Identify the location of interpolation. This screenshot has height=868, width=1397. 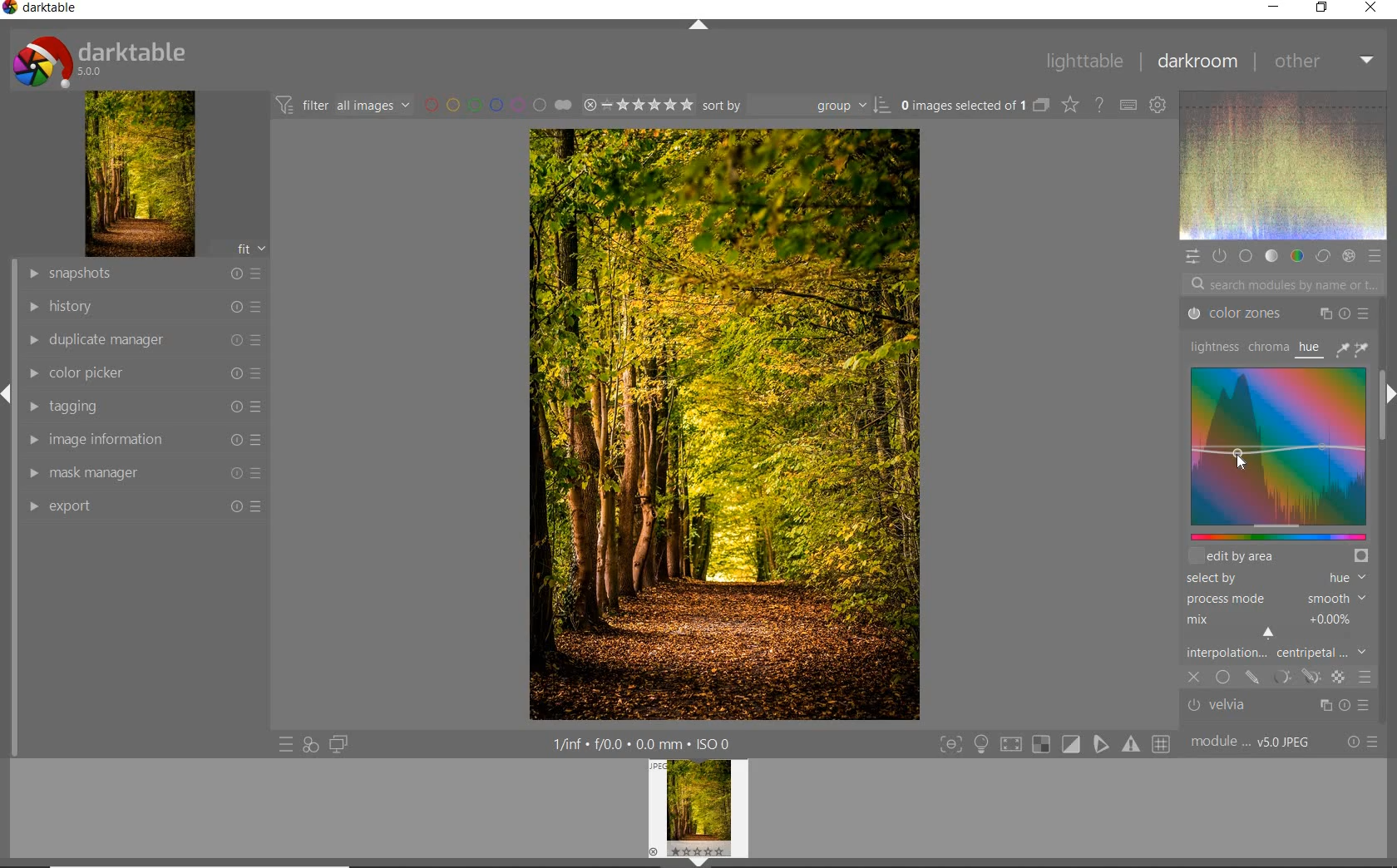
(1281, 654).